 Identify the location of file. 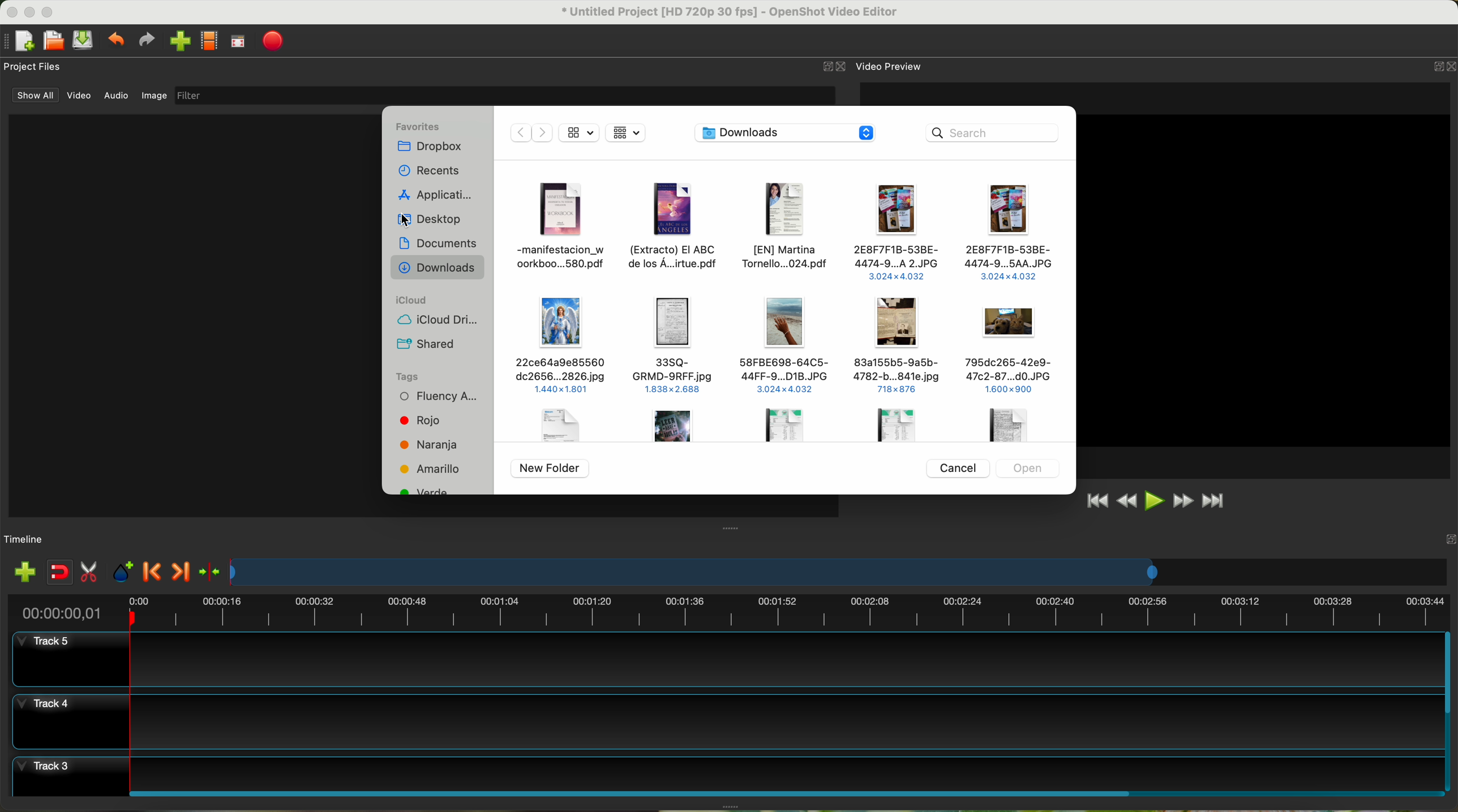
(676, 229).